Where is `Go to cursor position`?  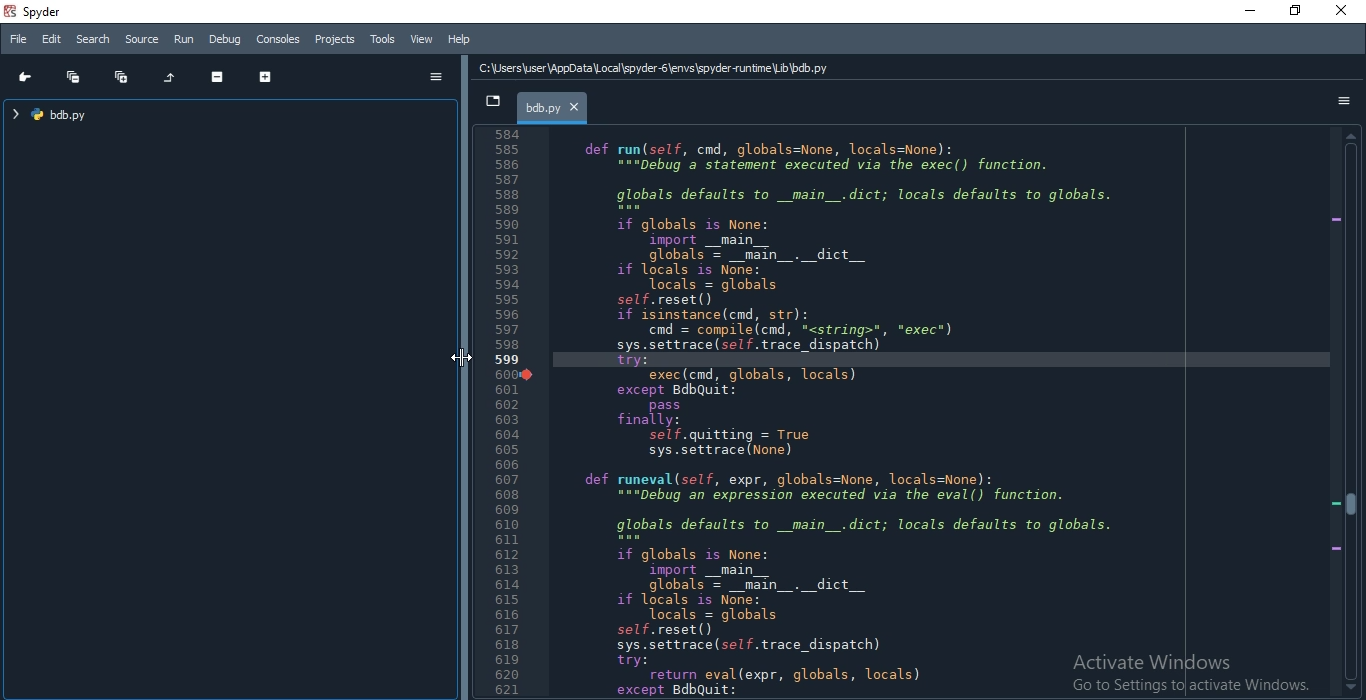
Go to cursor position is located at coordinates (26, 77).